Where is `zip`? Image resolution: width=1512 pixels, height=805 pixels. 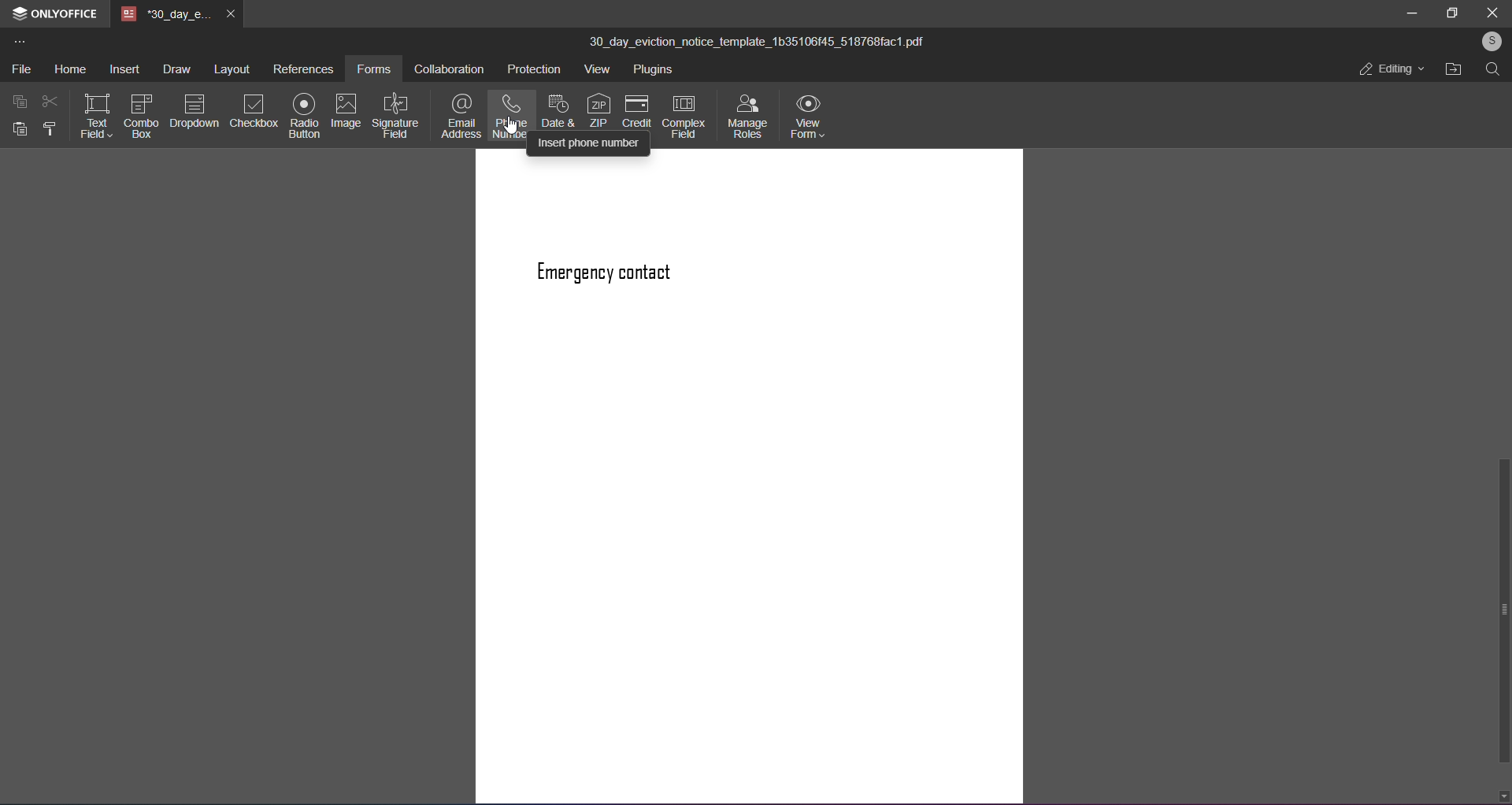 zip is located at coordinates (596, 109).